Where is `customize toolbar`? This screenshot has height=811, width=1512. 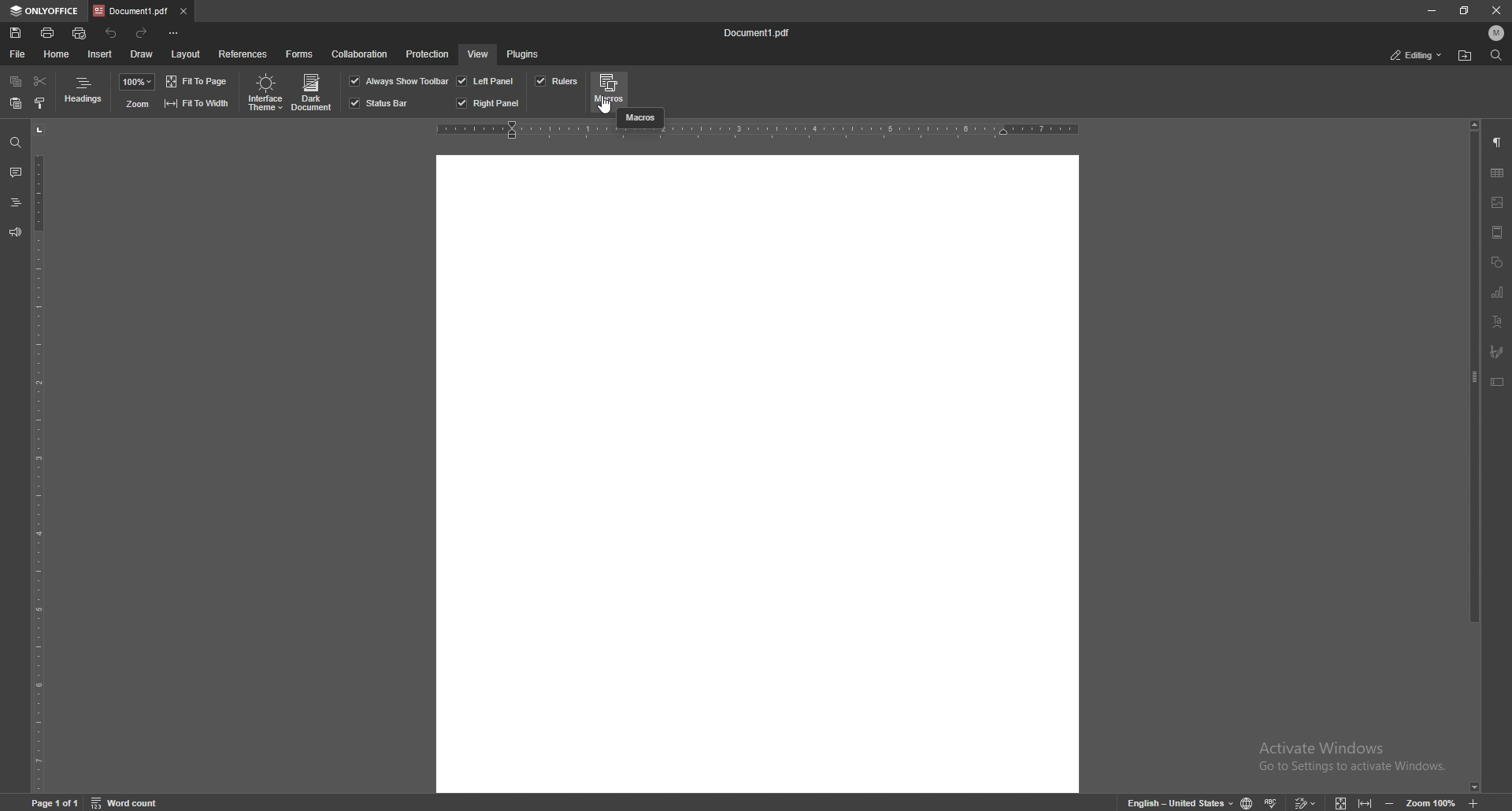 customize toolbar is located at coordinates (176, 33).